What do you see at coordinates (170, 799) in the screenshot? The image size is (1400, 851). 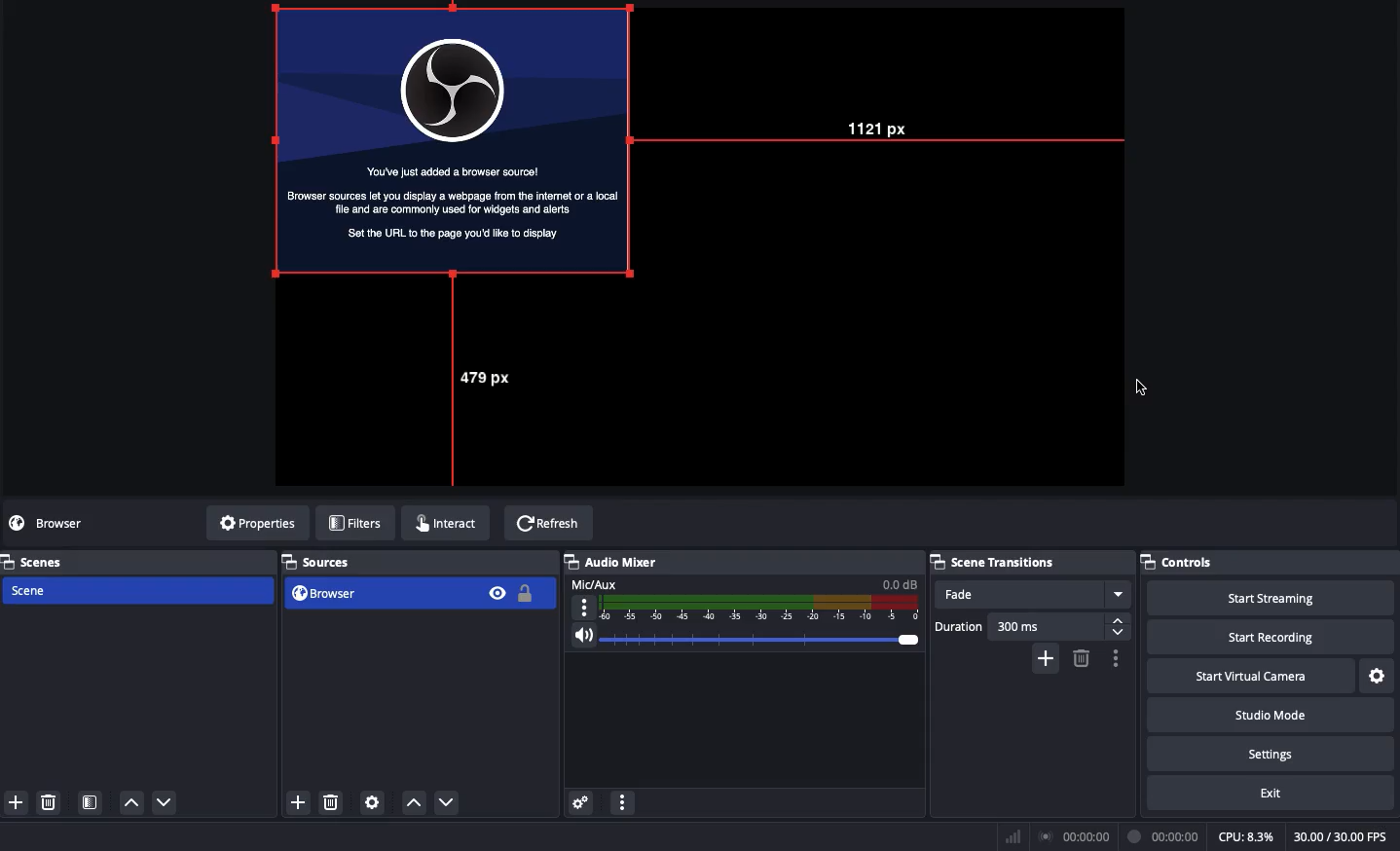 I see `move down` at bounding box center [170, 799].